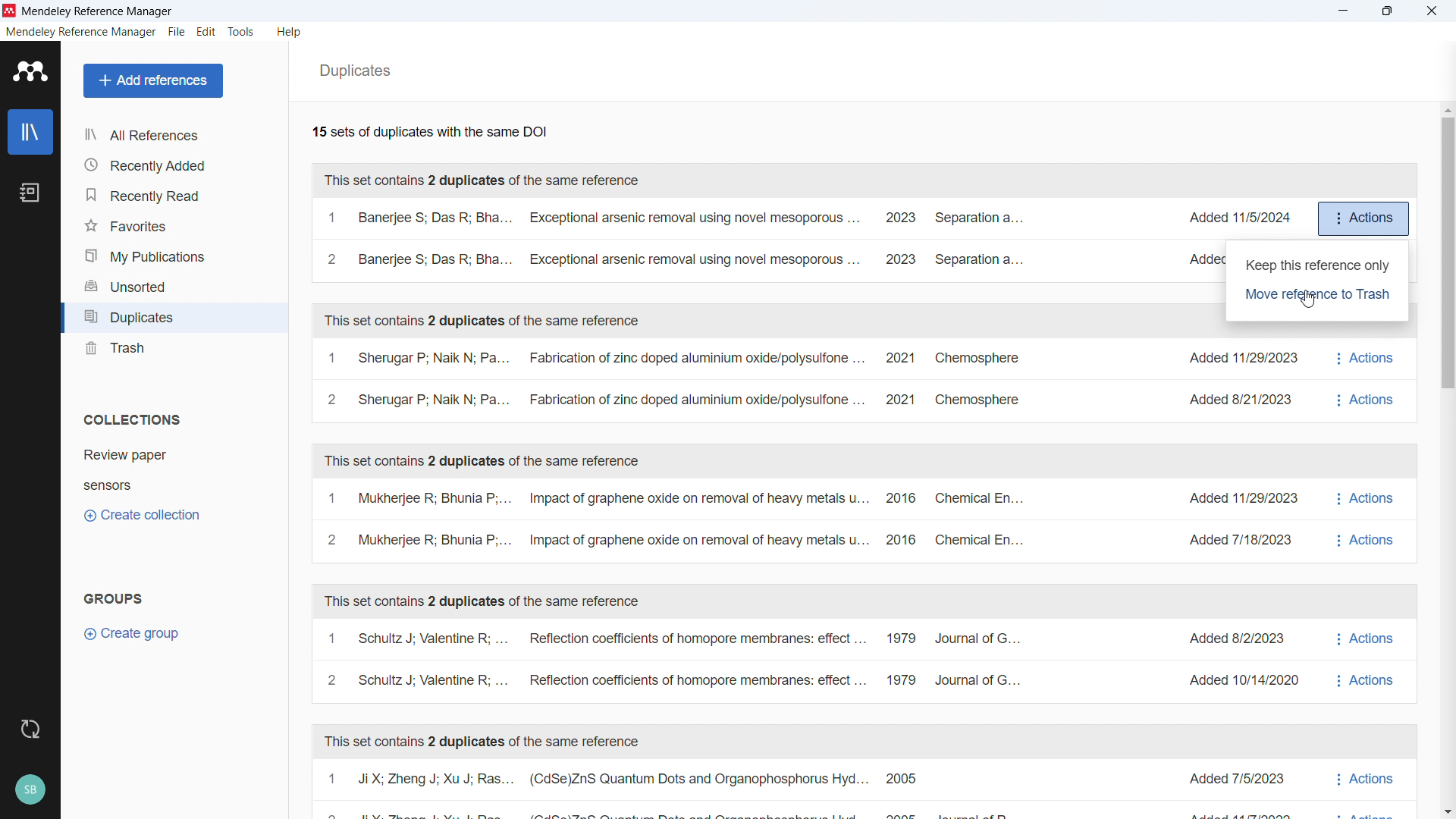 This screenshot has height=819, width=1456. I want to click on Fifteen sets of duplicates with the same DOI , so click(429, 130).